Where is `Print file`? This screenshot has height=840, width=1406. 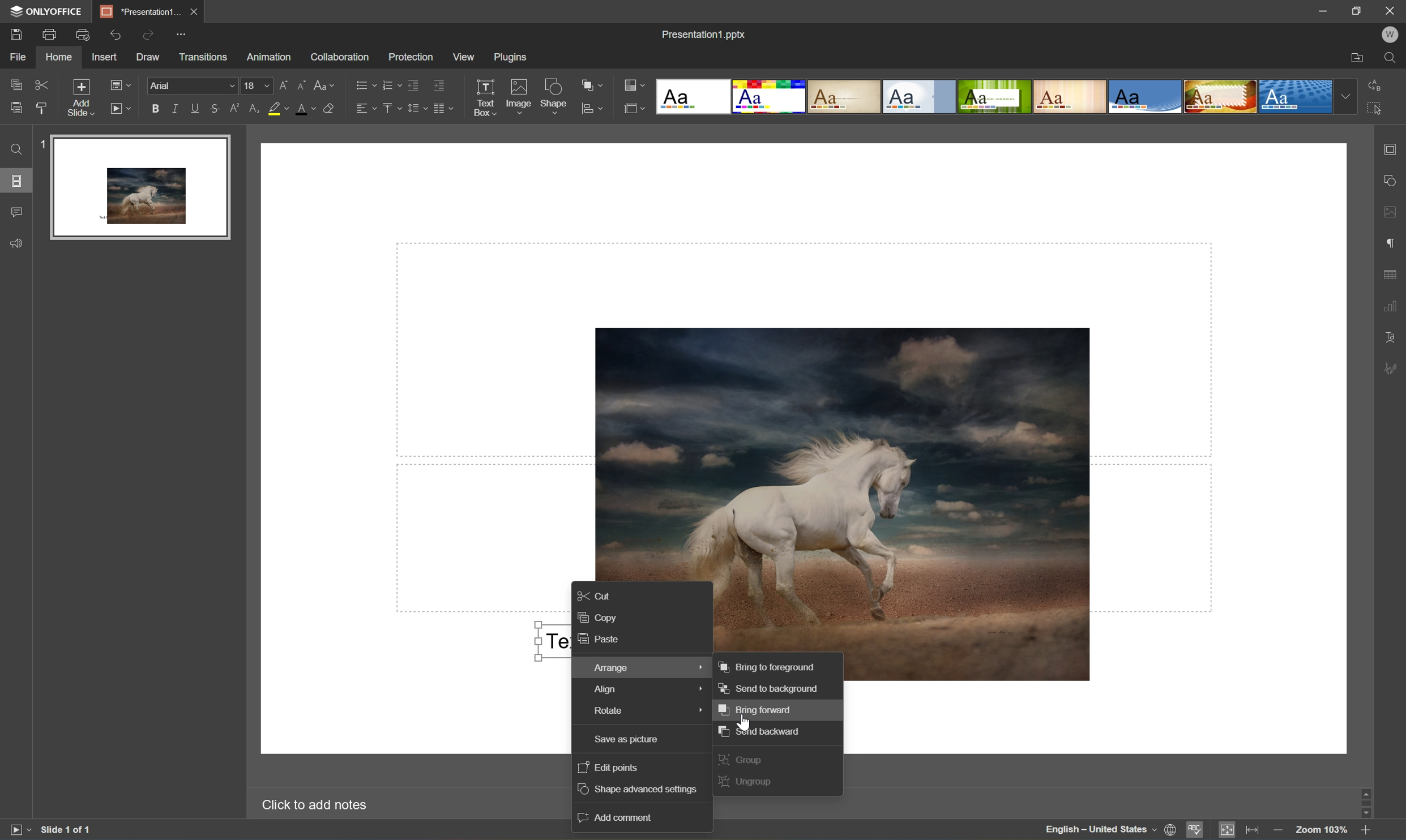
Print file is located at coordinates (50, 32).